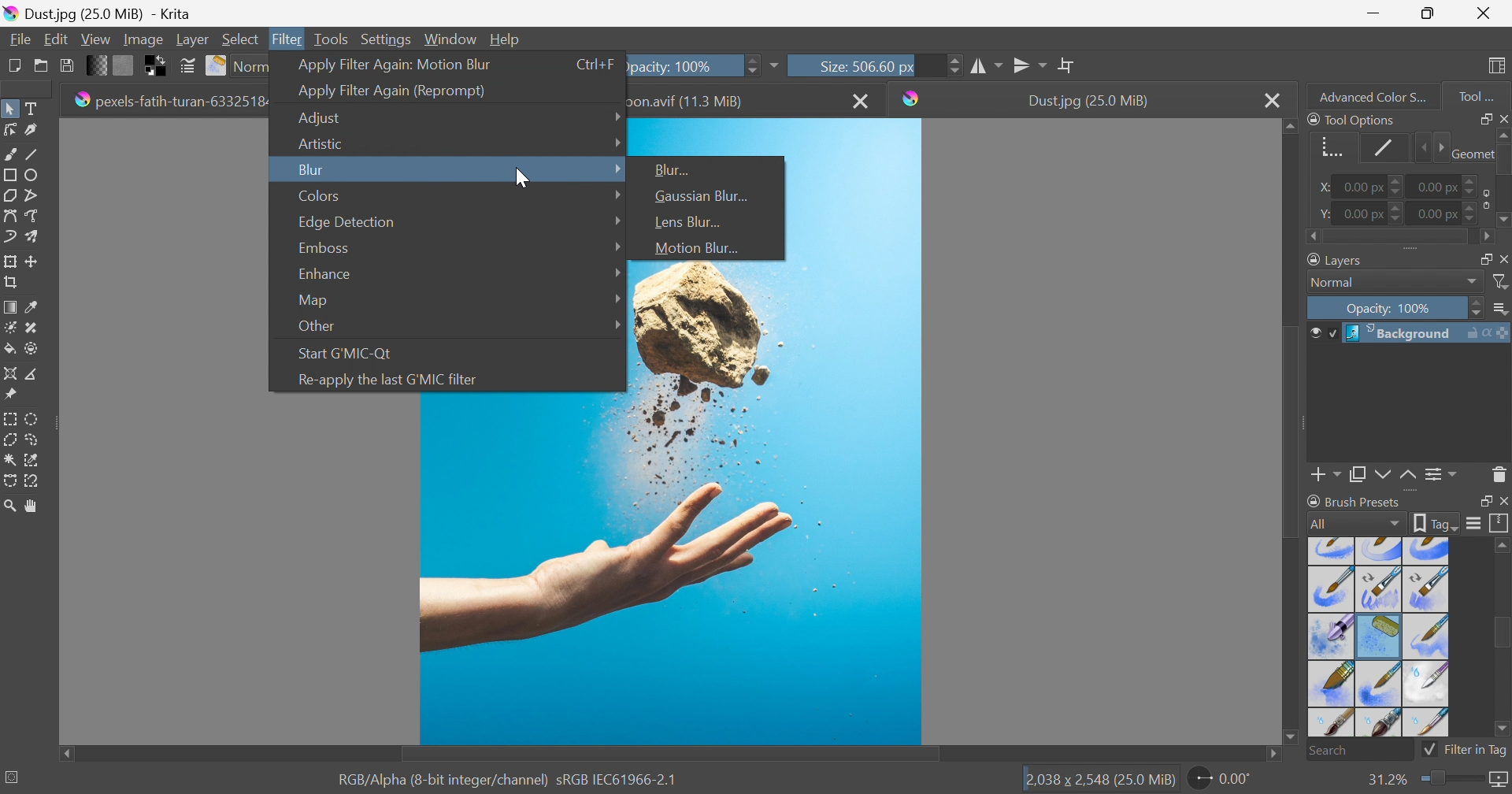 The image size is (1512, 794). What do you see at coordinates (319, 143) in the screenshot?
I see `Artistic` at bounding box center [319, 143].